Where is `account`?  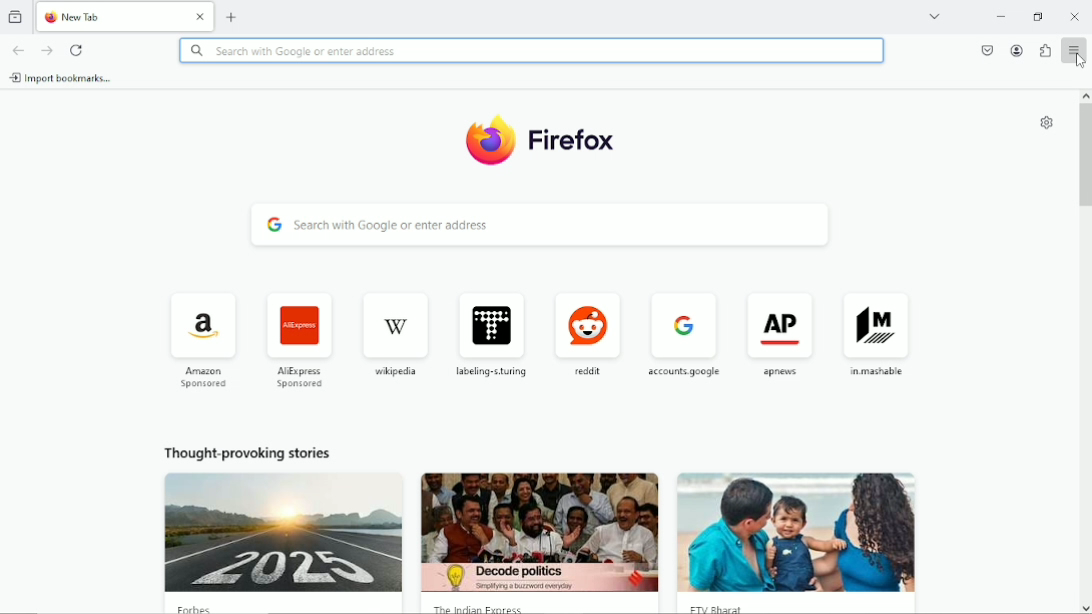
account is located at coordinates (1015, 50).